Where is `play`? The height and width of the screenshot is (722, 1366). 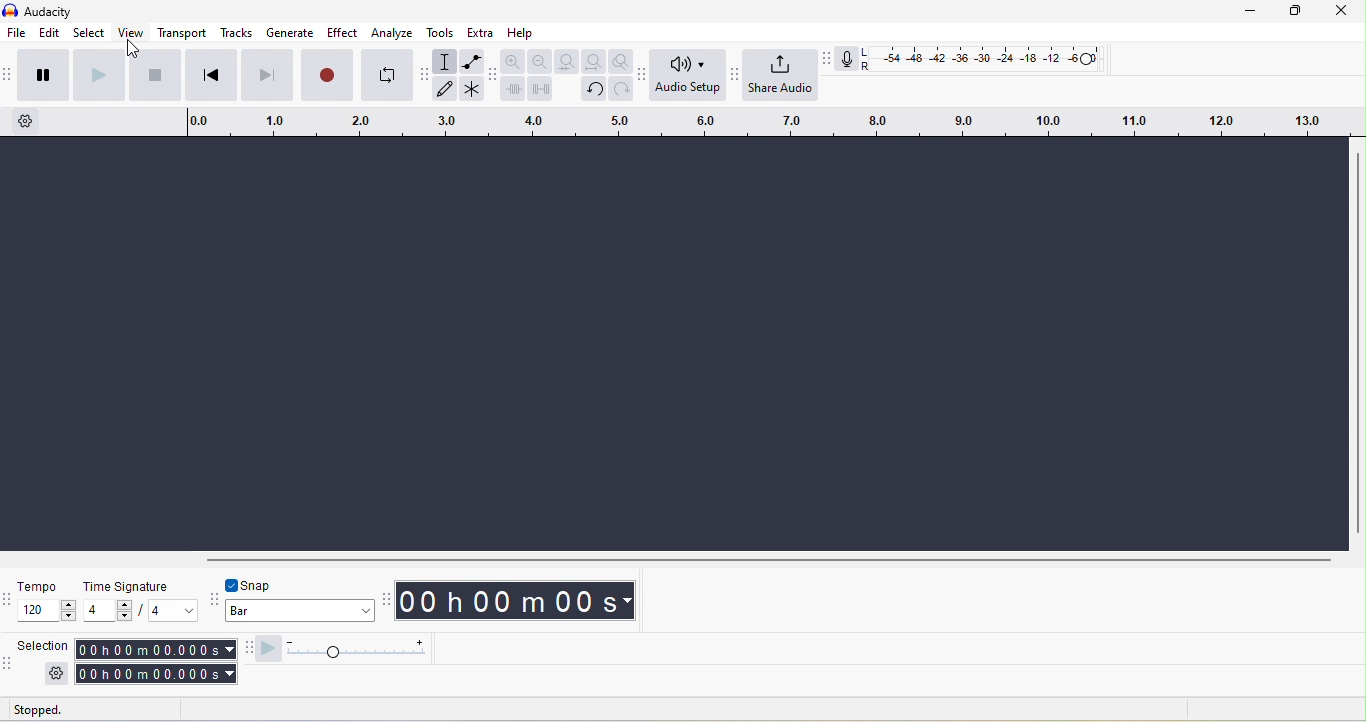
play is located at coordinates (100, 76).